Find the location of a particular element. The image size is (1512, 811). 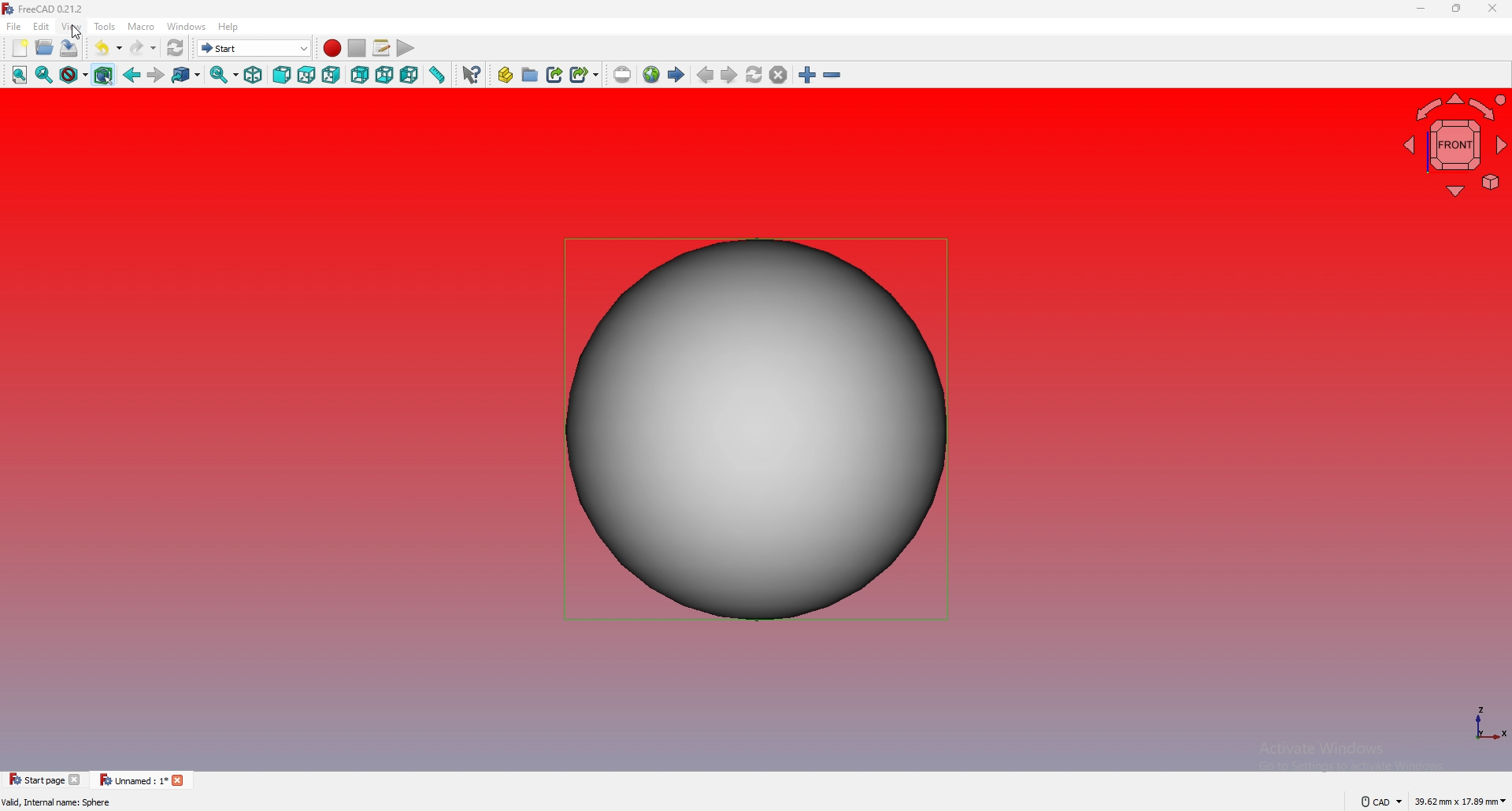

edit is located at coordinates (43, 26).